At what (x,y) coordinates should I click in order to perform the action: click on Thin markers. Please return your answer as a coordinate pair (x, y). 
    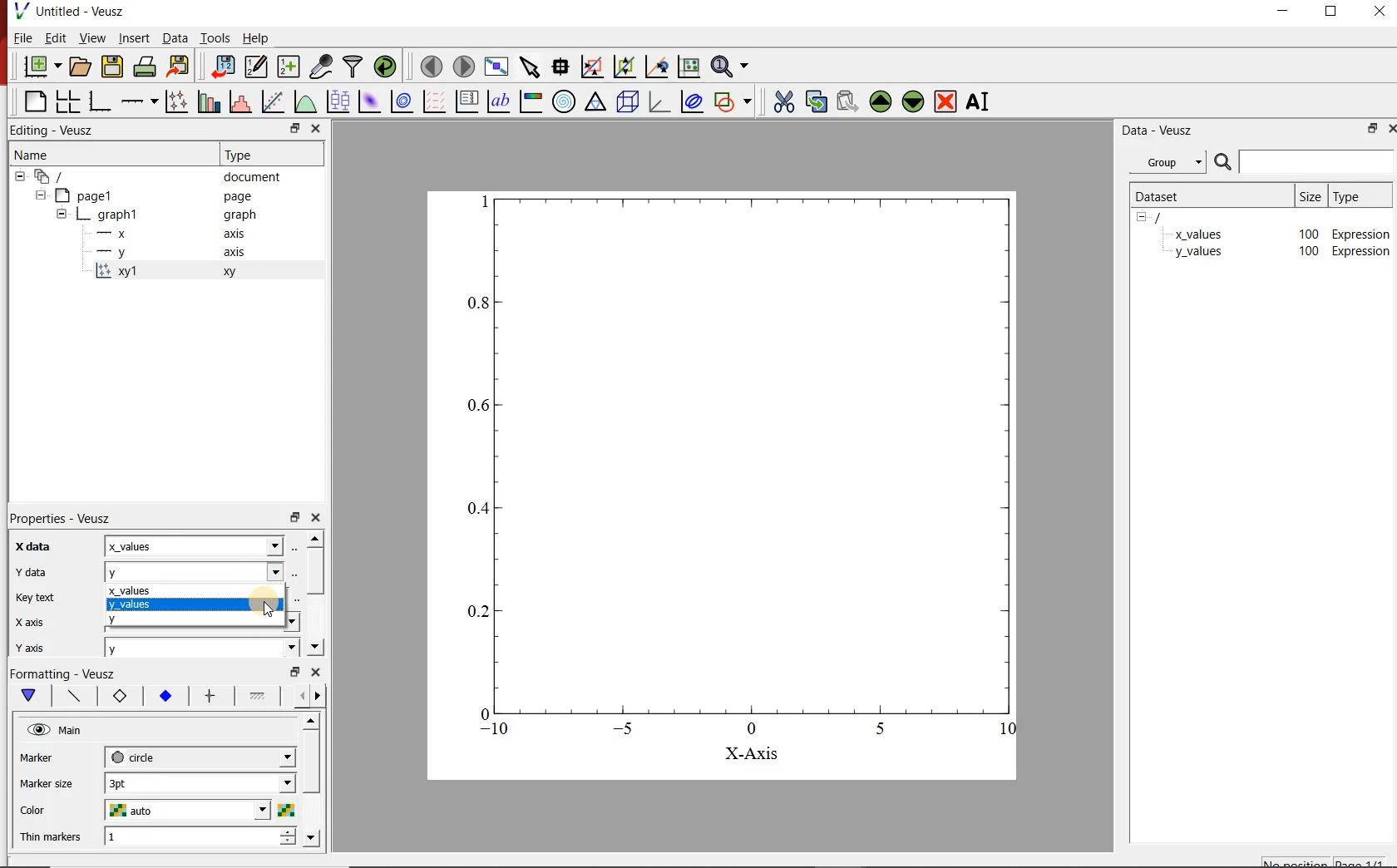
    Looking at the image, I should click on (51, 837).